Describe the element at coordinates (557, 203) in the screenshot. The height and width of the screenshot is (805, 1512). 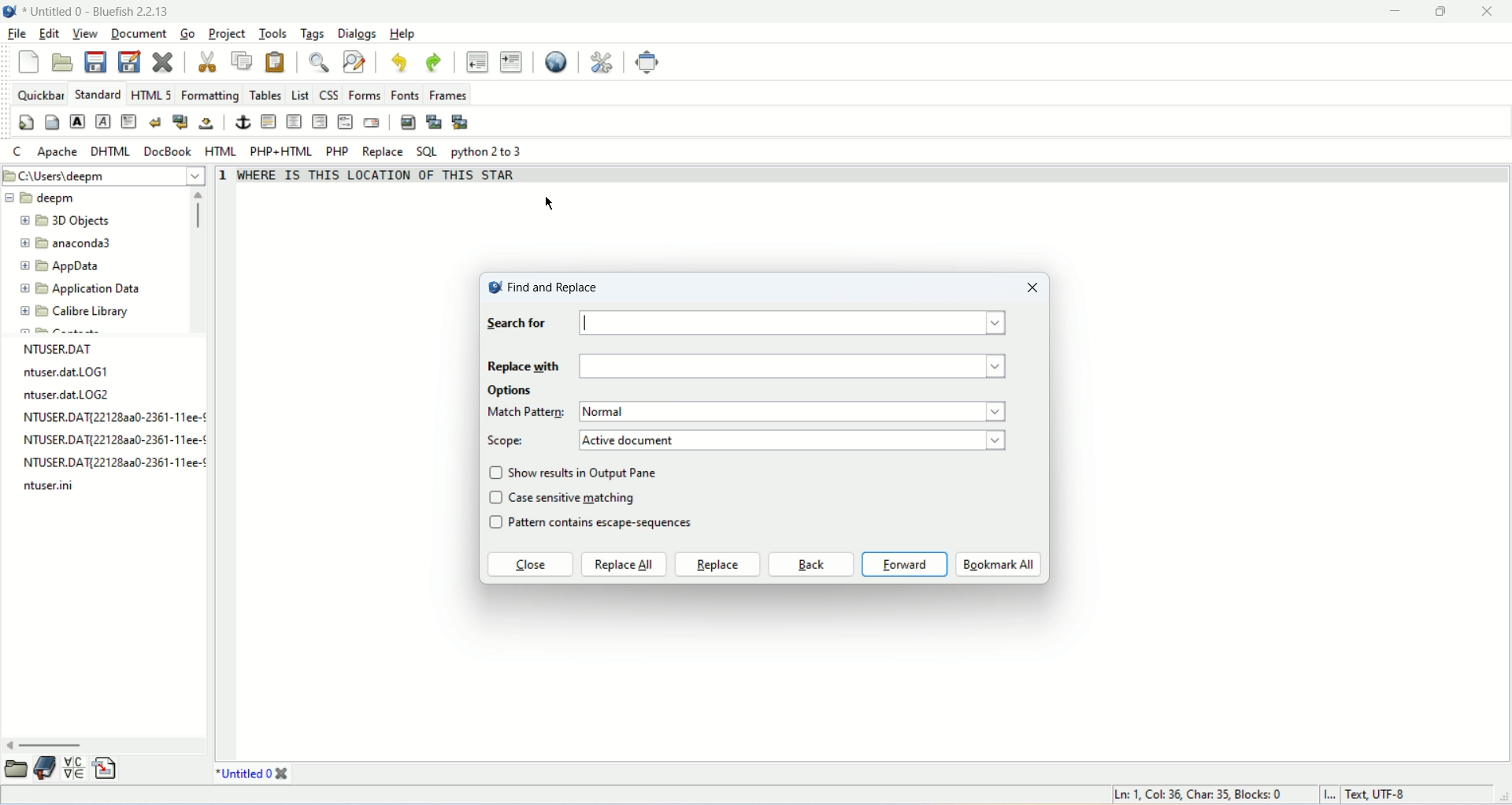
I see `cursor` at that location.